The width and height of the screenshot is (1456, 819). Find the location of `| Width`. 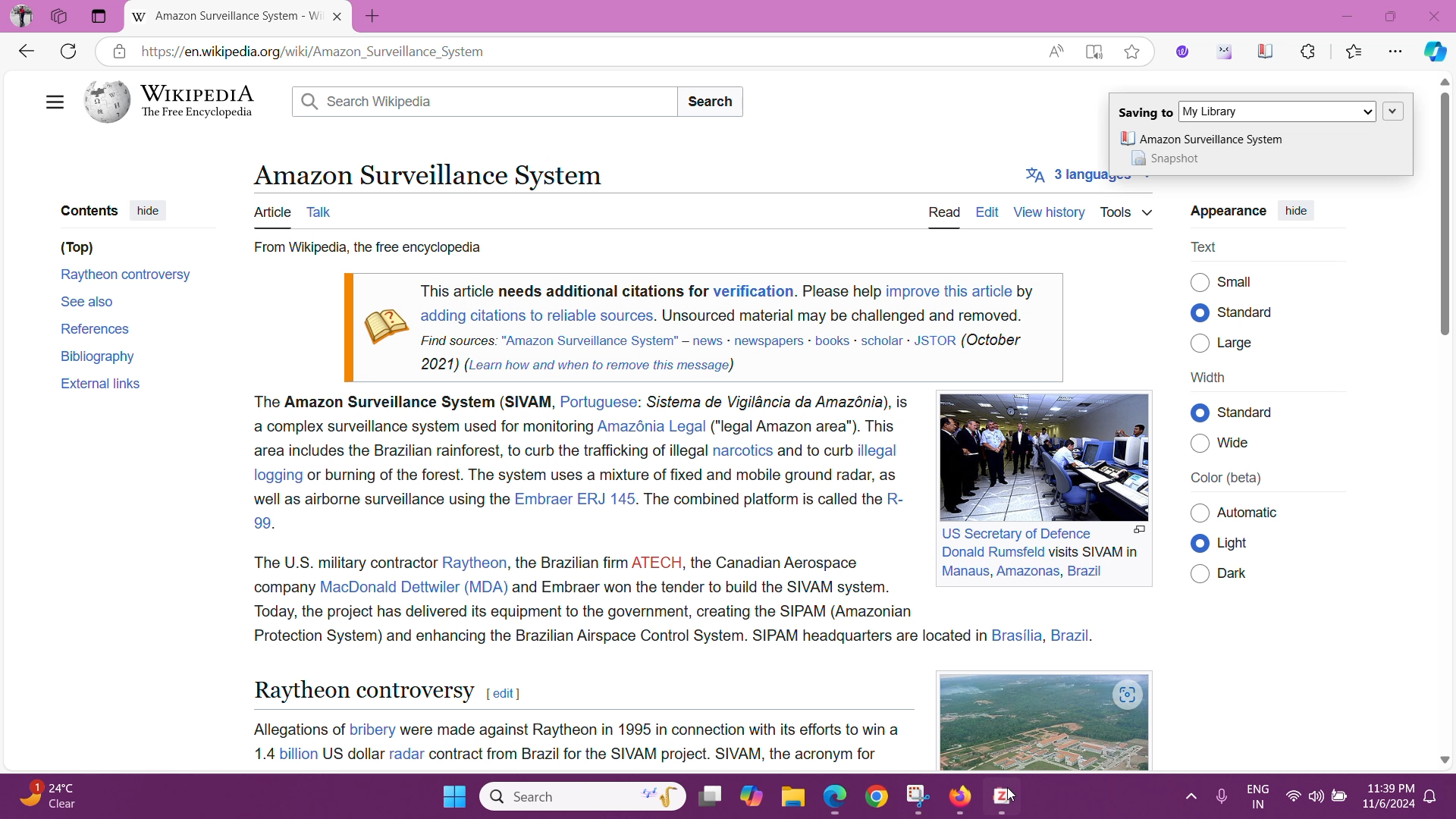

| Width is located at coordinates (1208, 377).